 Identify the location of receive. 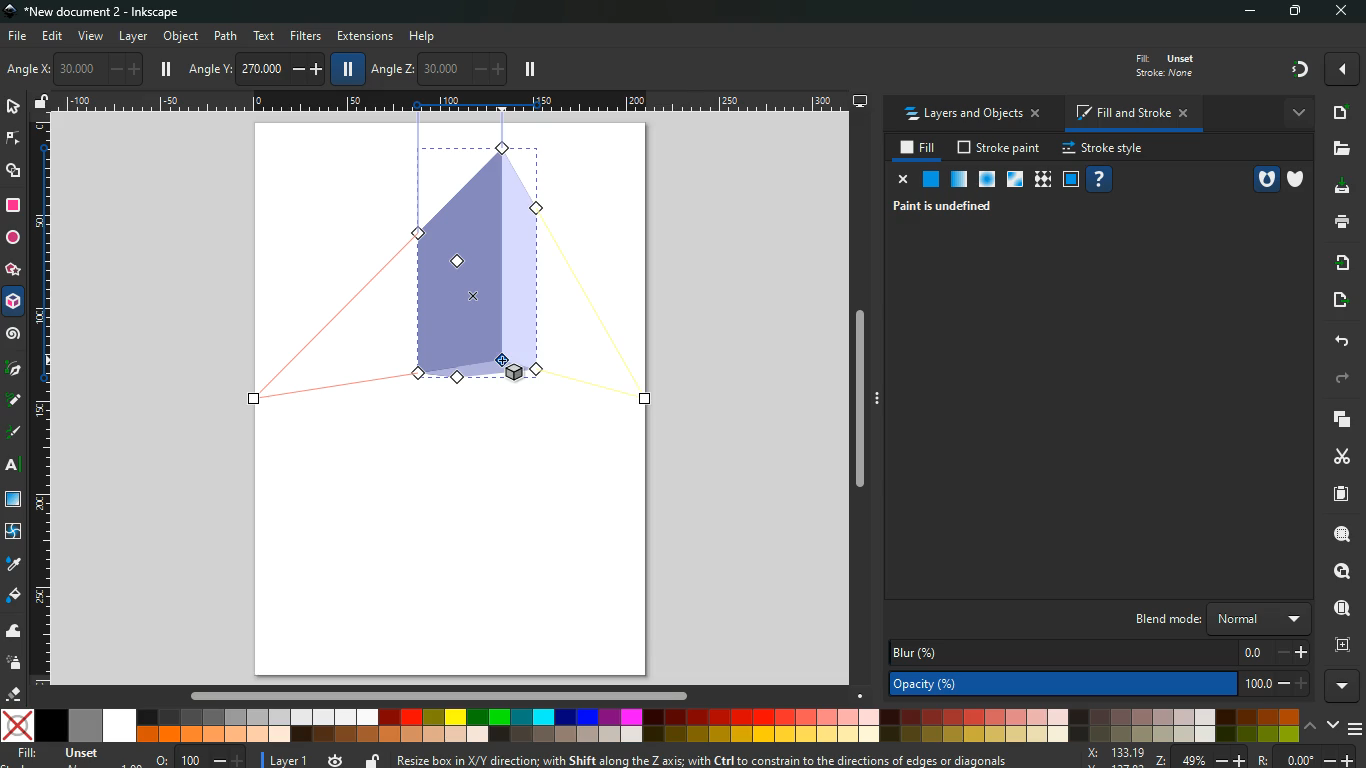
(1337, 262).